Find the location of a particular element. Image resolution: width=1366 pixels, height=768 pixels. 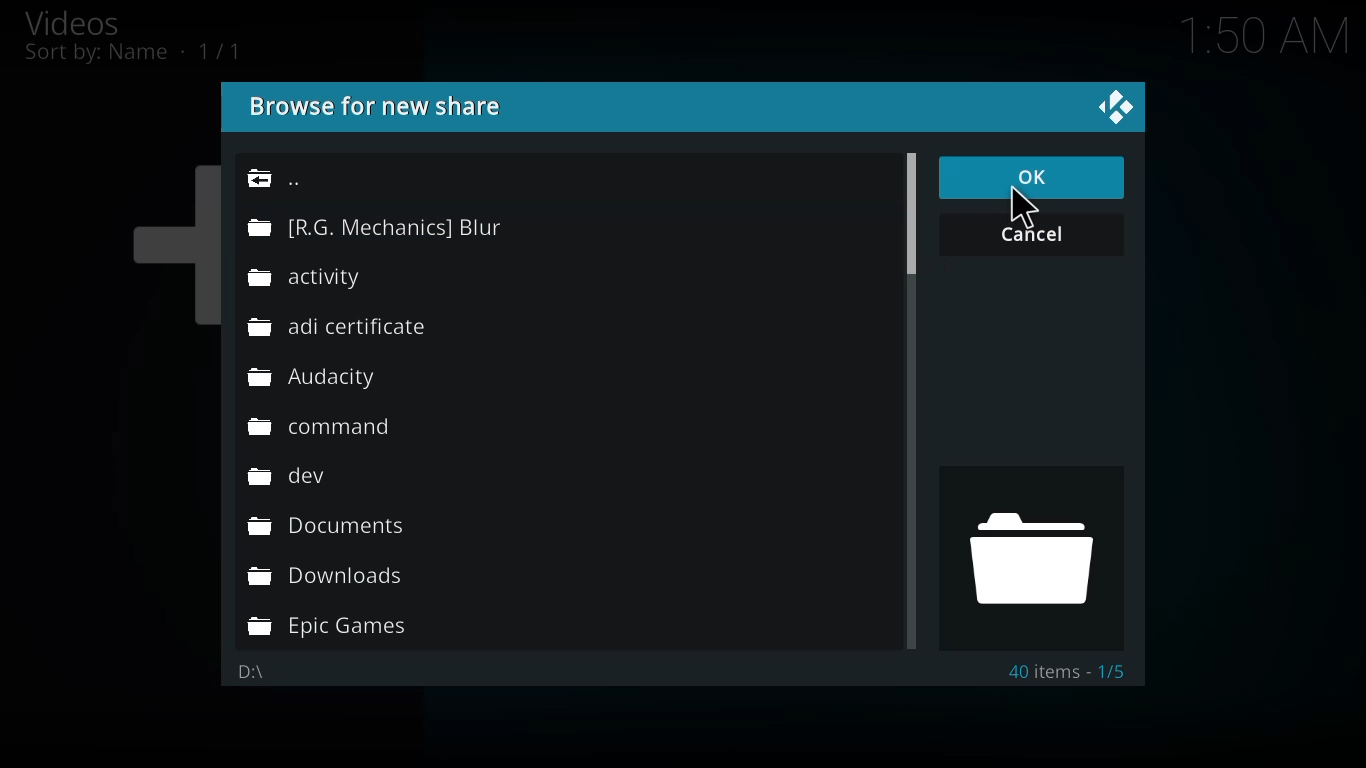

folder is located at coordinates (328, 627).